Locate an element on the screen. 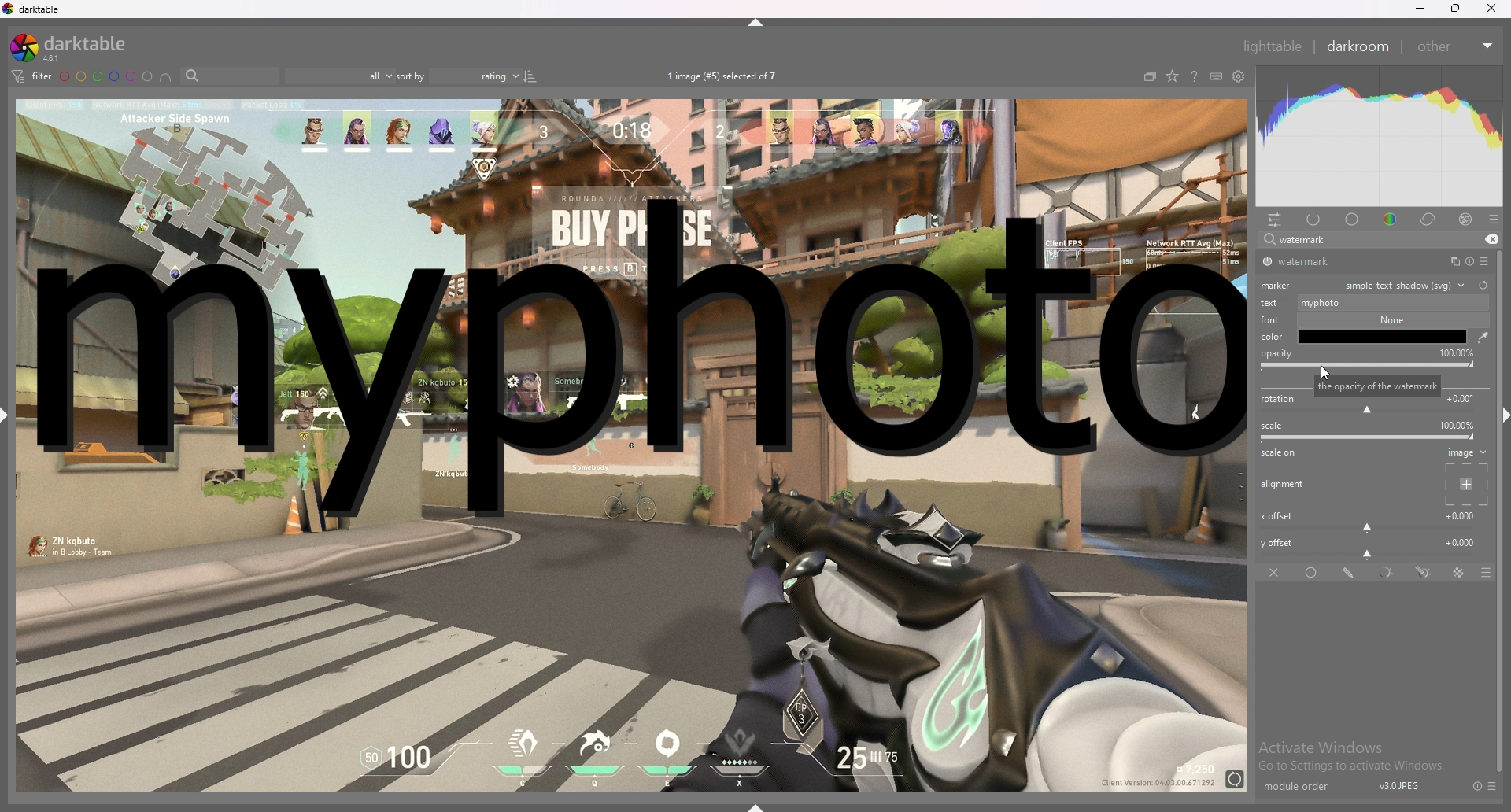 The image size is (1511, 812). color is located at coordinates (1274, 336).